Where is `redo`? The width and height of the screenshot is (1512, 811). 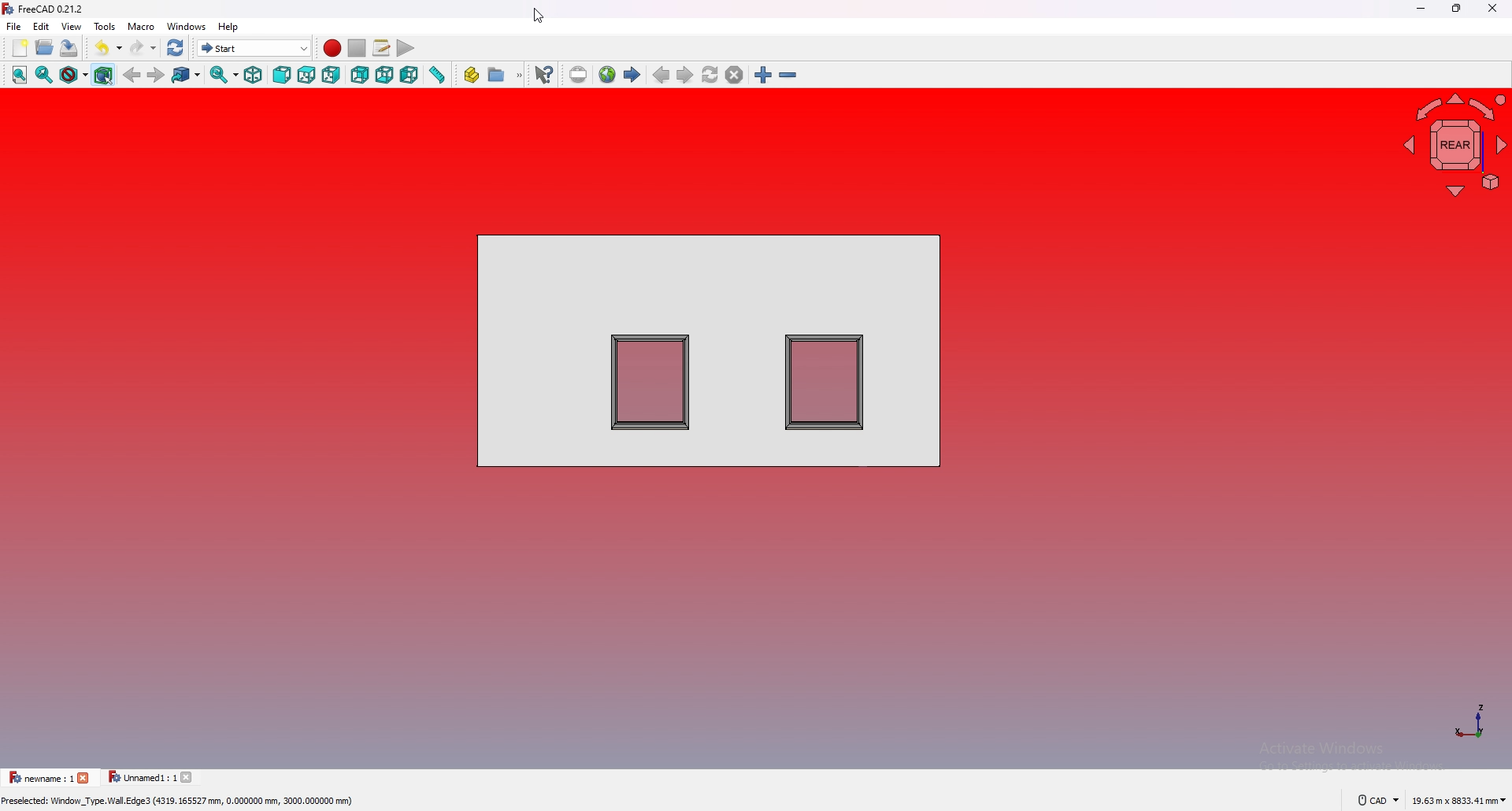 redo is located at coordinates (143, 47).